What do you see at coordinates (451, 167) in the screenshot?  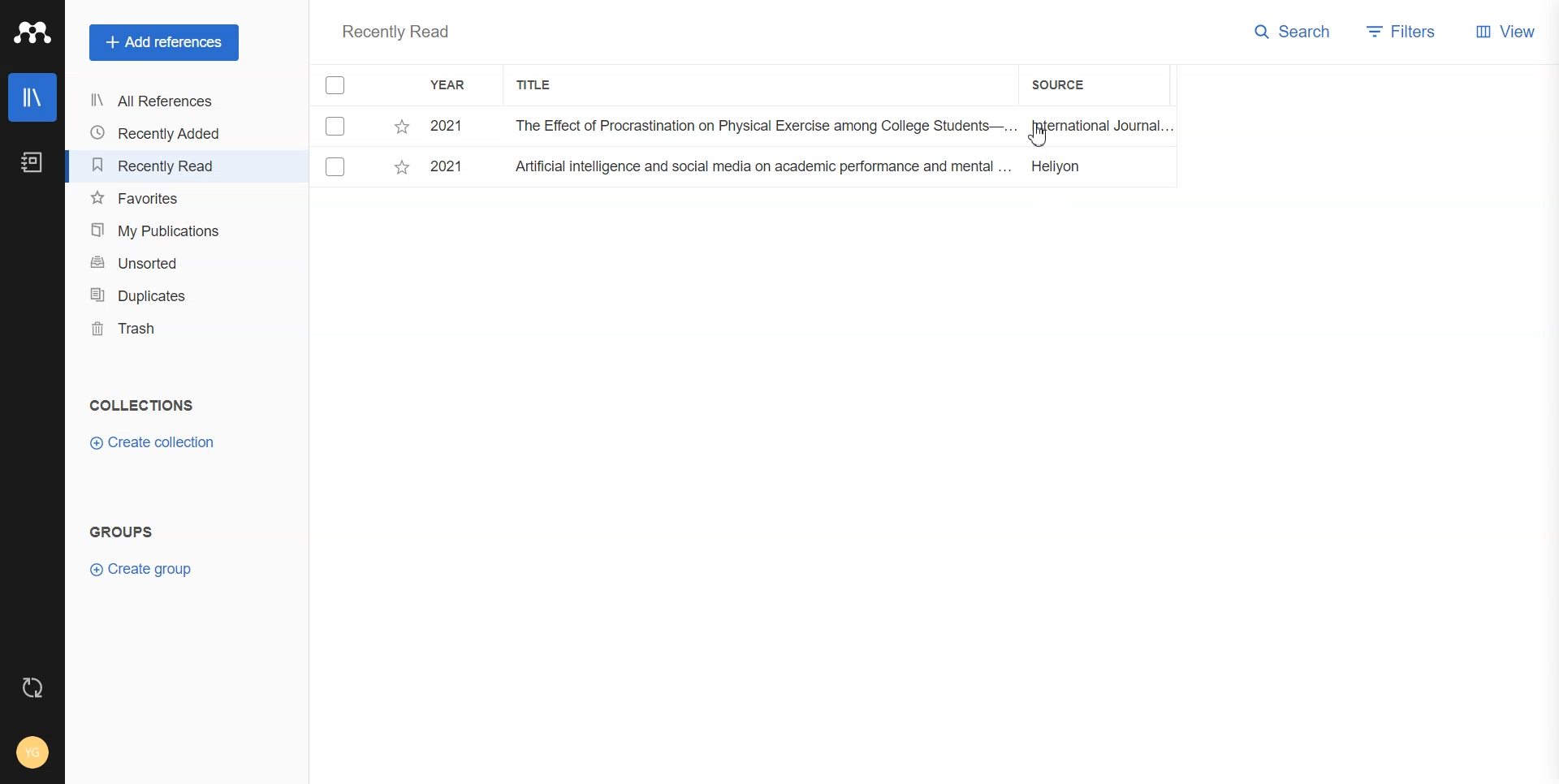 I see `2021` at bounding box center [451, 167].